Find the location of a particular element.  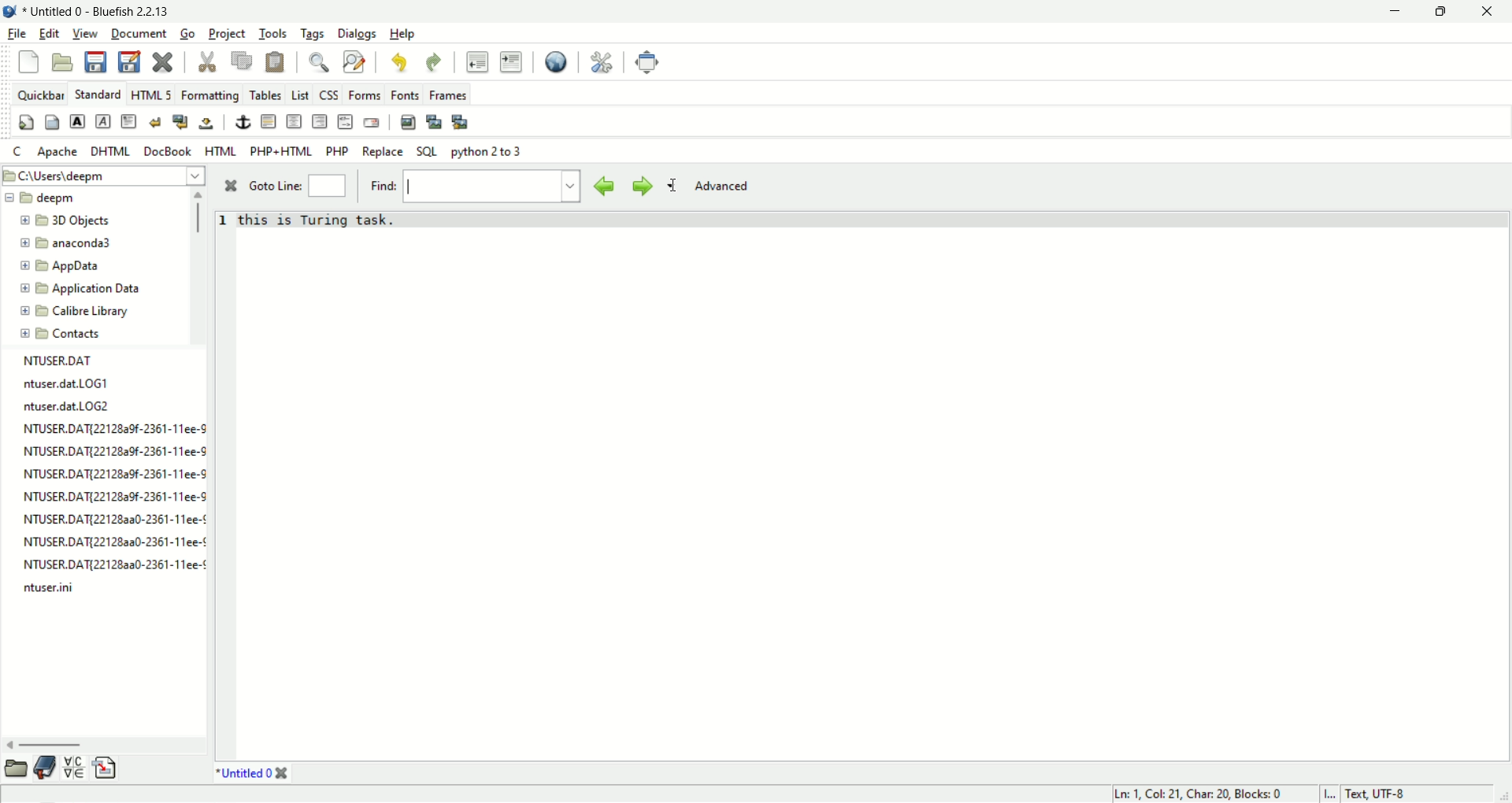

find previous is located at coordinates (605, 187).